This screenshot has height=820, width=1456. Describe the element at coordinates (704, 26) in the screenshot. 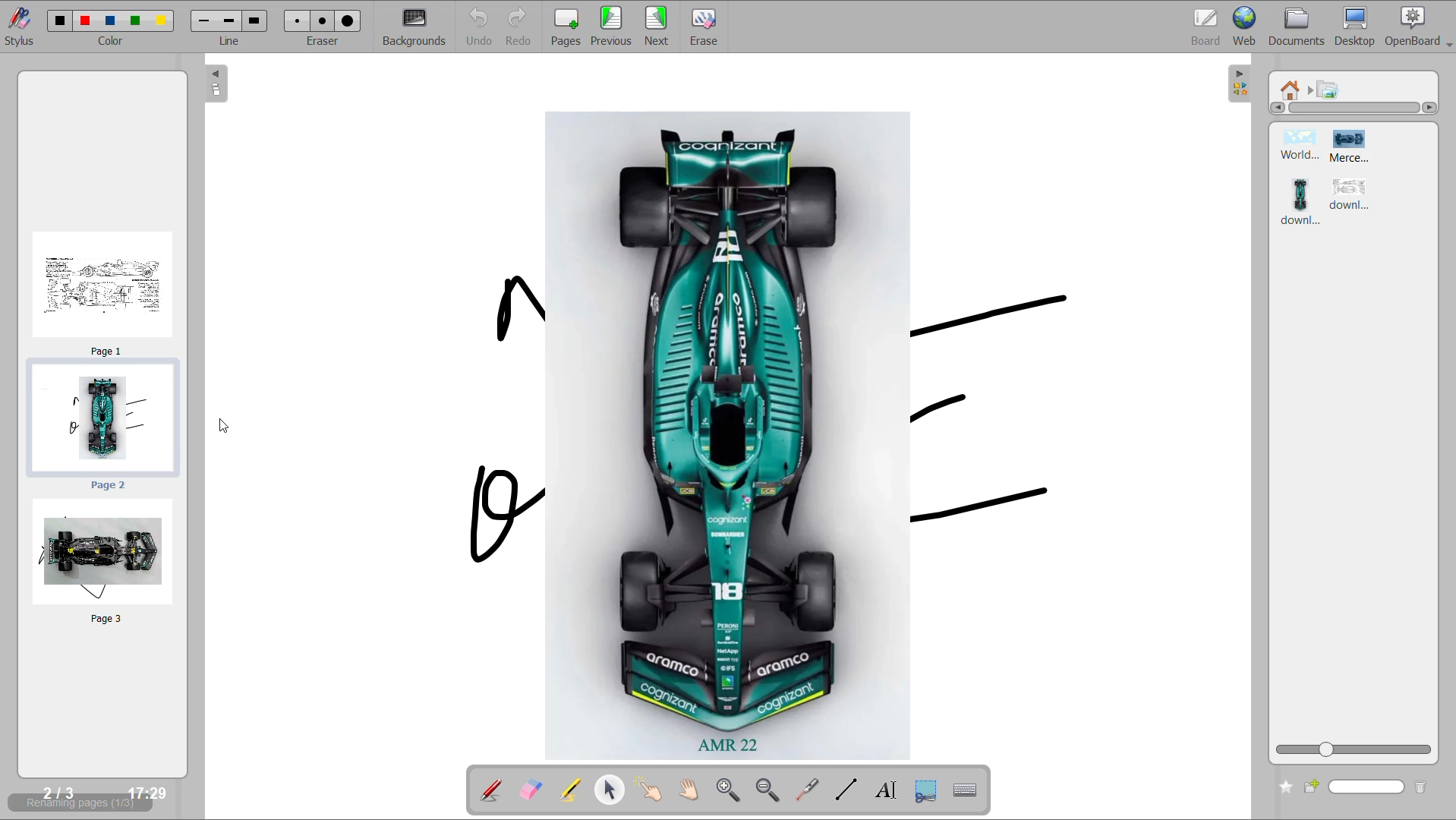

I see `erase` at that location.